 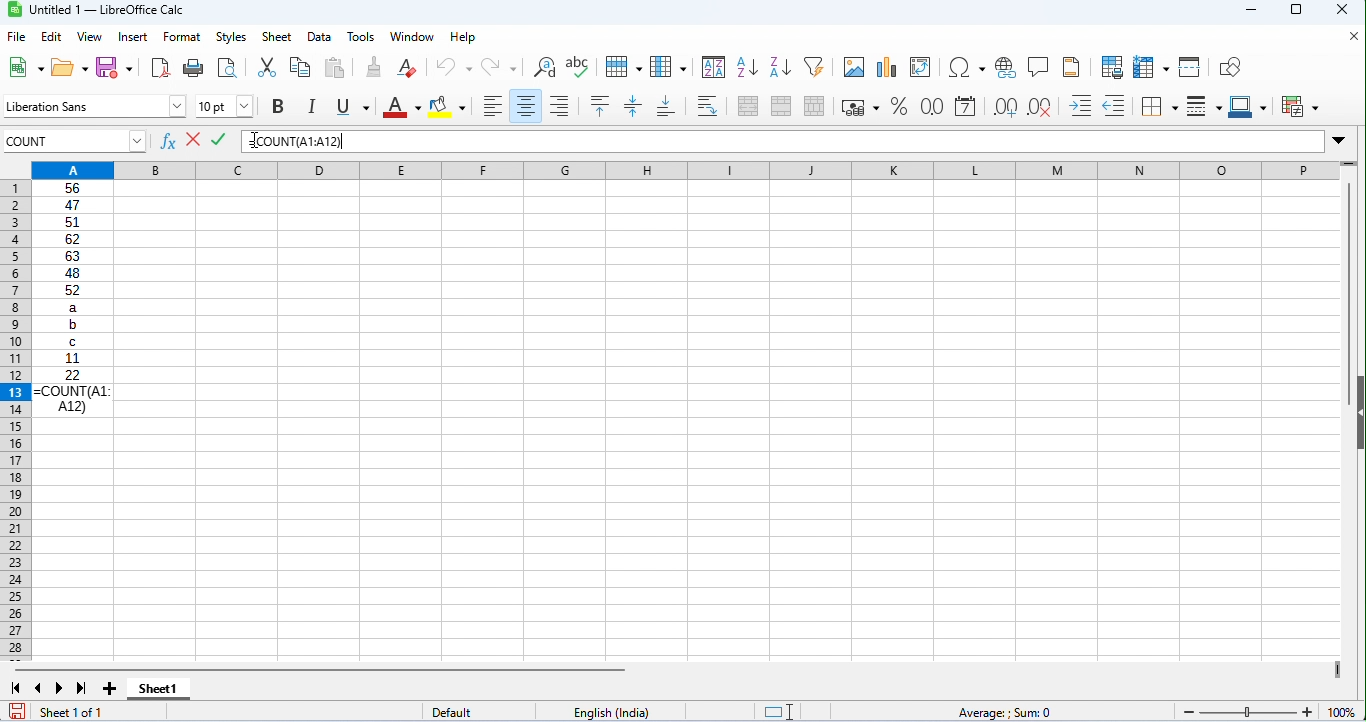 What do you see at coordinates (72, 223) in the screenshot?
I see `51` at bounding box center [72, 223].